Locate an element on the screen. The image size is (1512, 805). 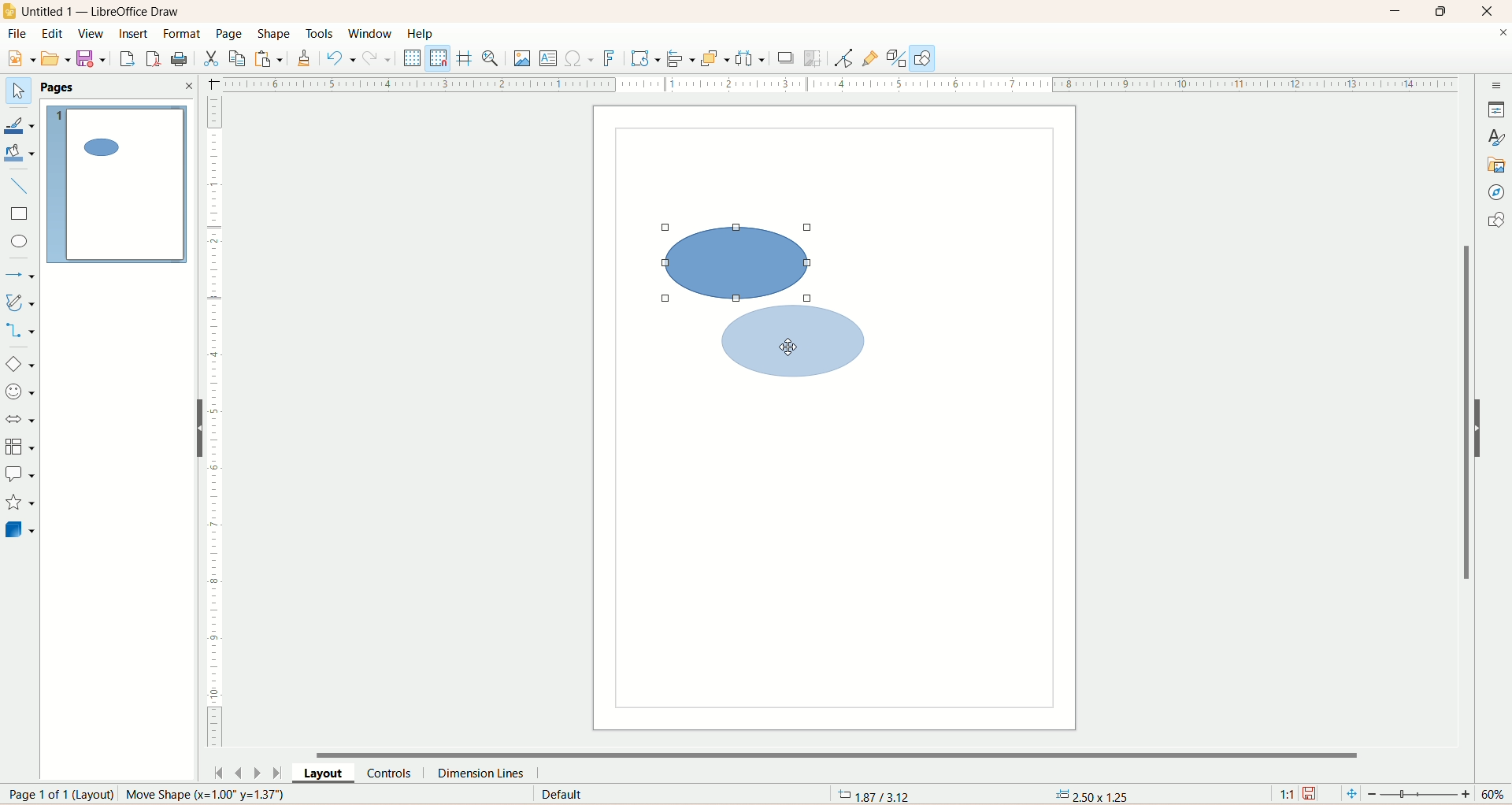
redo is located at coordinates (380, 60).